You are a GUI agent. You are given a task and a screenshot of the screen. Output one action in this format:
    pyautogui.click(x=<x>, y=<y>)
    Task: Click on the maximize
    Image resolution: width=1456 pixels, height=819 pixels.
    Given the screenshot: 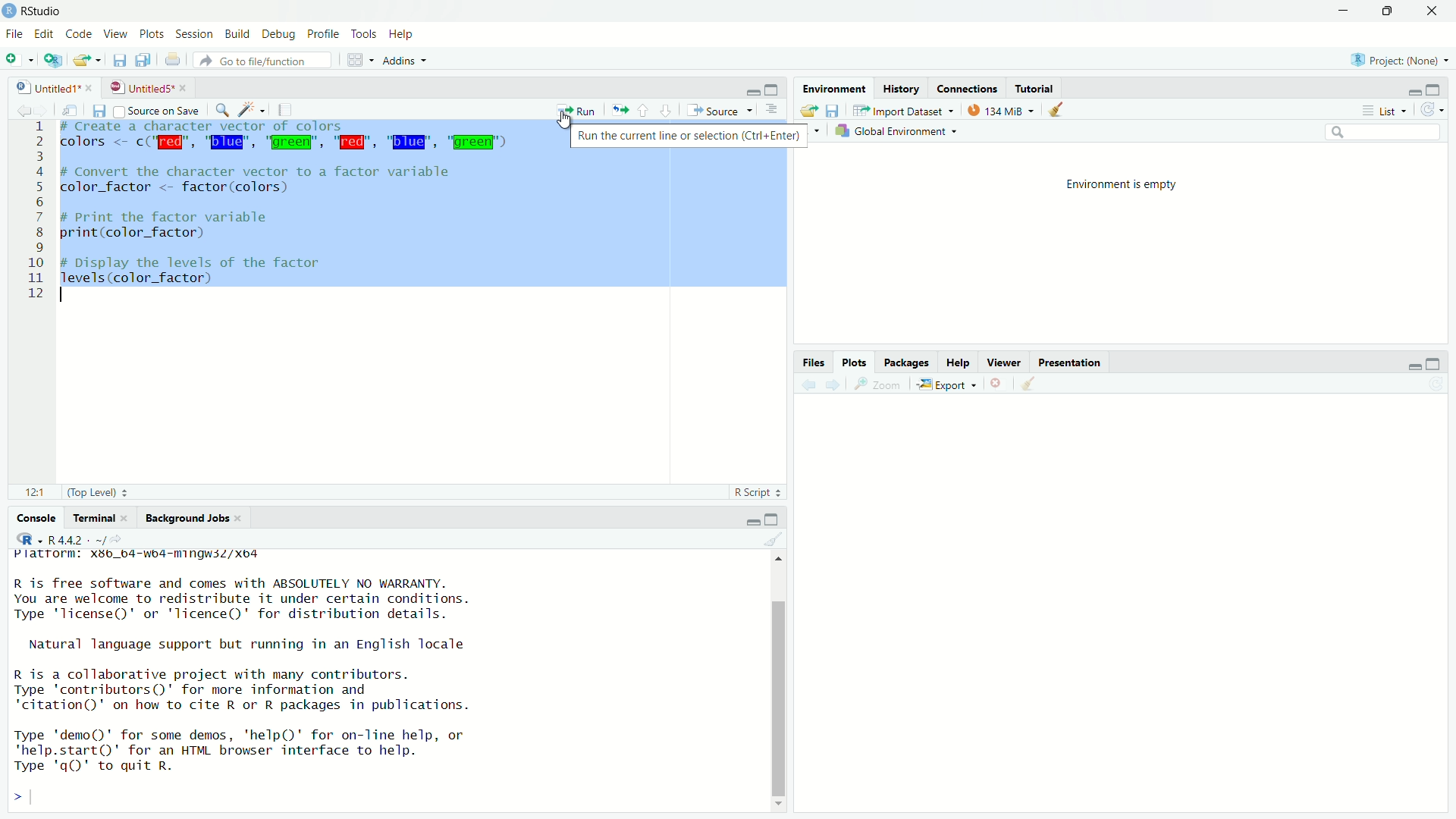 What is the action you would take?
    pyautogui.click(x=1391, y=10)
    